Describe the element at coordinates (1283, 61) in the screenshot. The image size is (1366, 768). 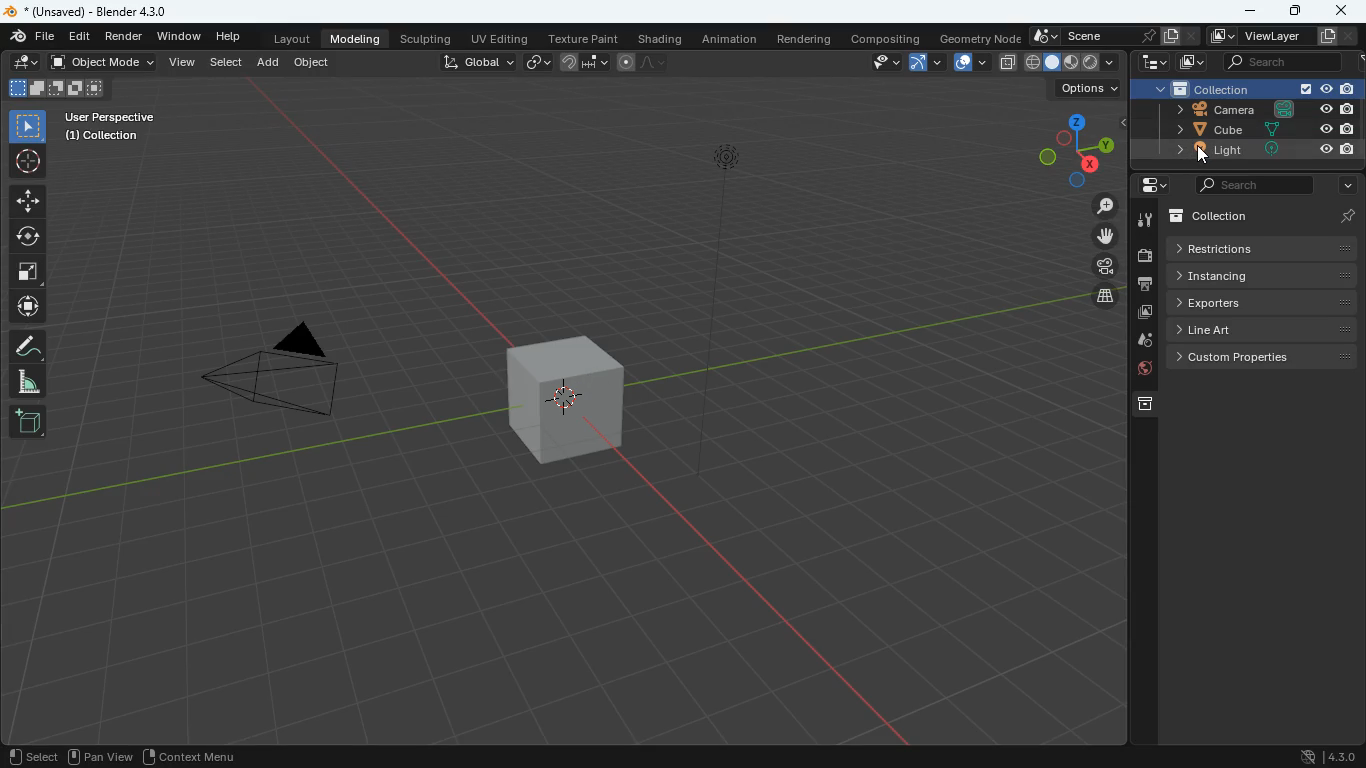
I see `search` at that location.